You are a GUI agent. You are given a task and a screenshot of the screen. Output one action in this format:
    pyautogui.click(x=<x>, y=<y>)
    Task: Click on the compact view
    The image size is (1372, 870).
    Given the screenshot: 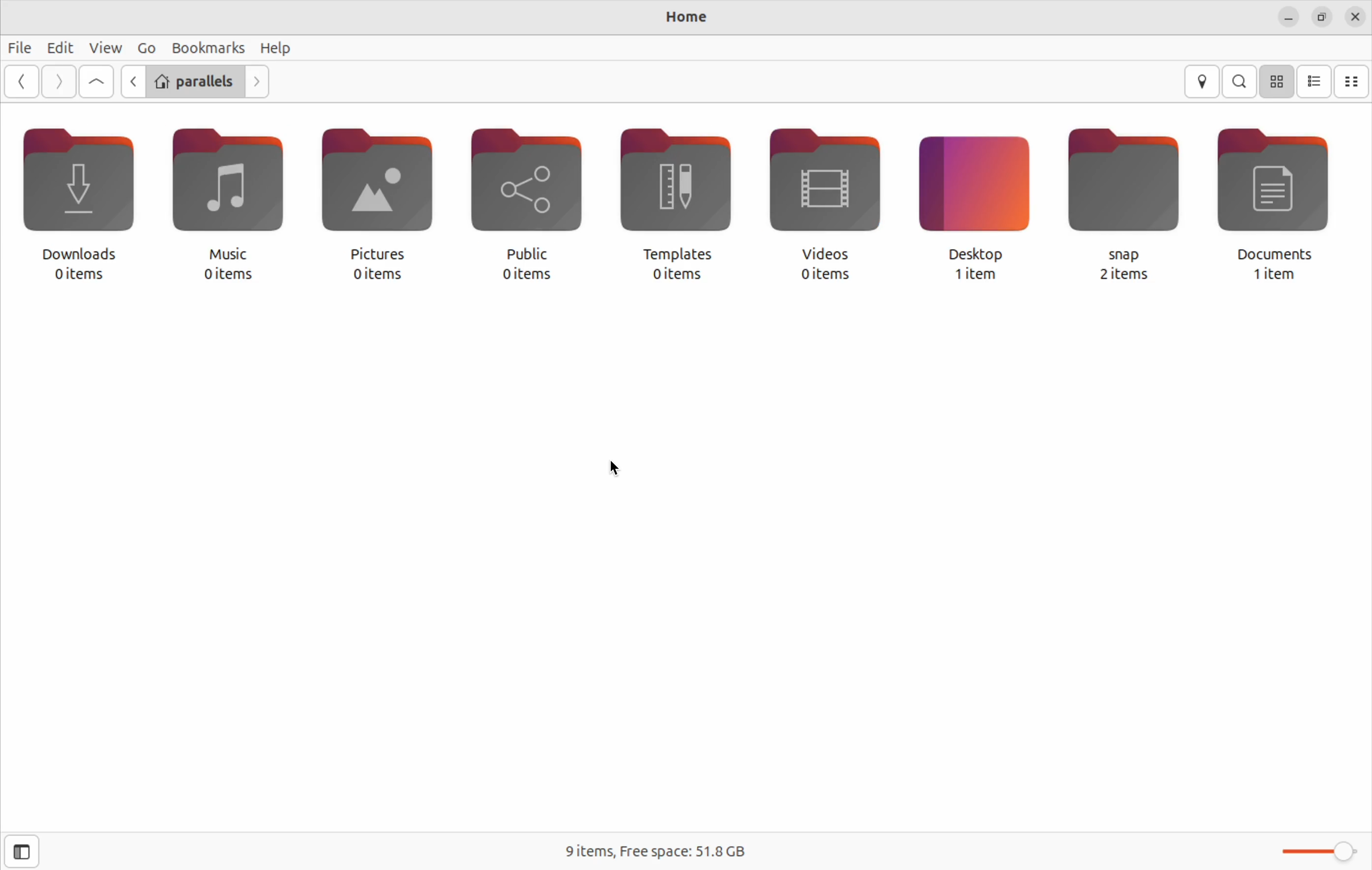 What is the action you would take?
    pyautogui.click(x=1351, y=83)
    